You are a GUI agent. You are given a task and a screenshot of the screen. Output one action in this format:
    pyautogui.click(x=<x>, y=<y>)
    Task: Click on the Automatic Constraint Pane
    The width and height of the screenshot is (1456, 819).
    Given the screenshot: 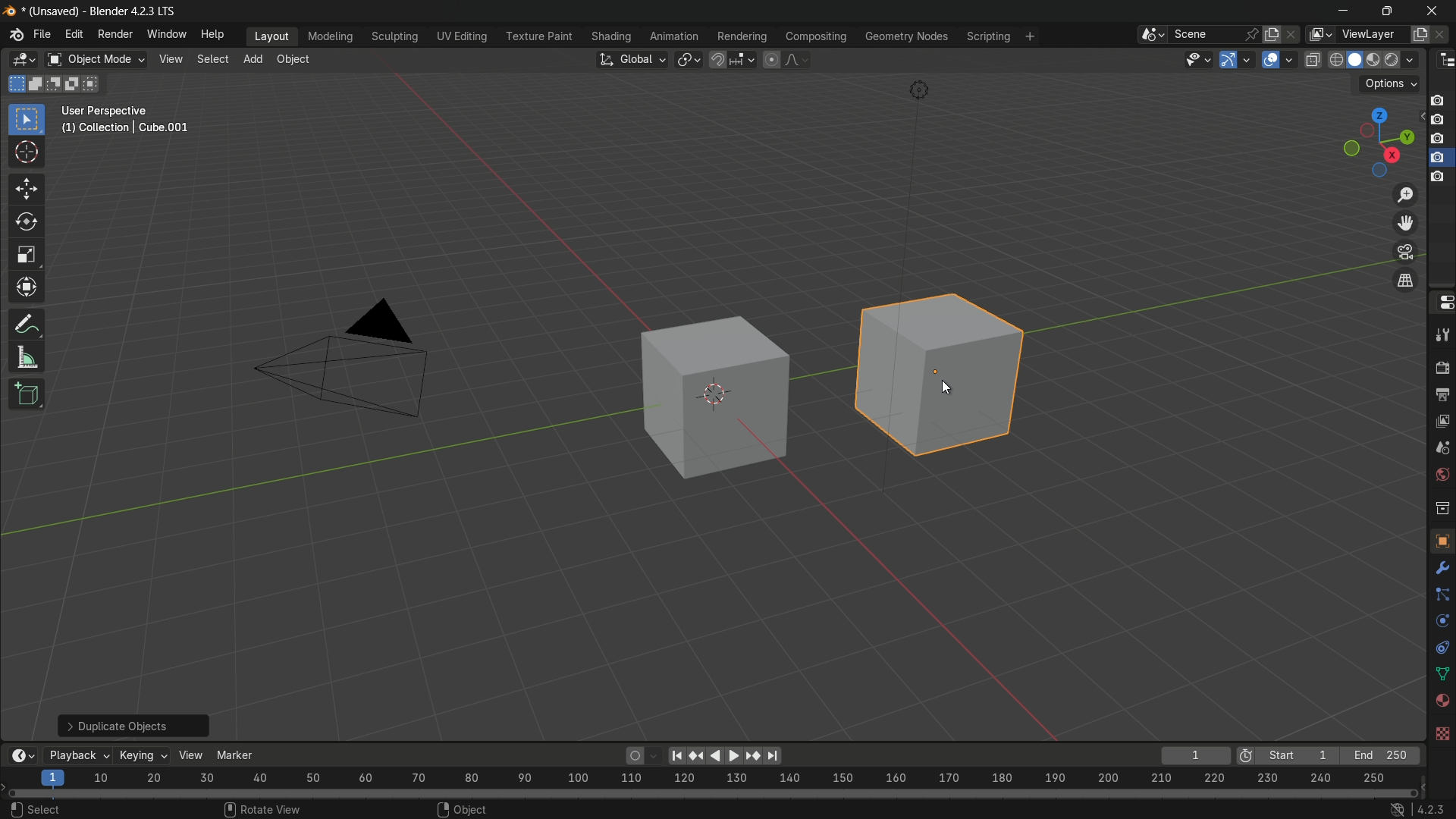 What is the action you would take?
    pyautogui.click(x=999, y=811)
    